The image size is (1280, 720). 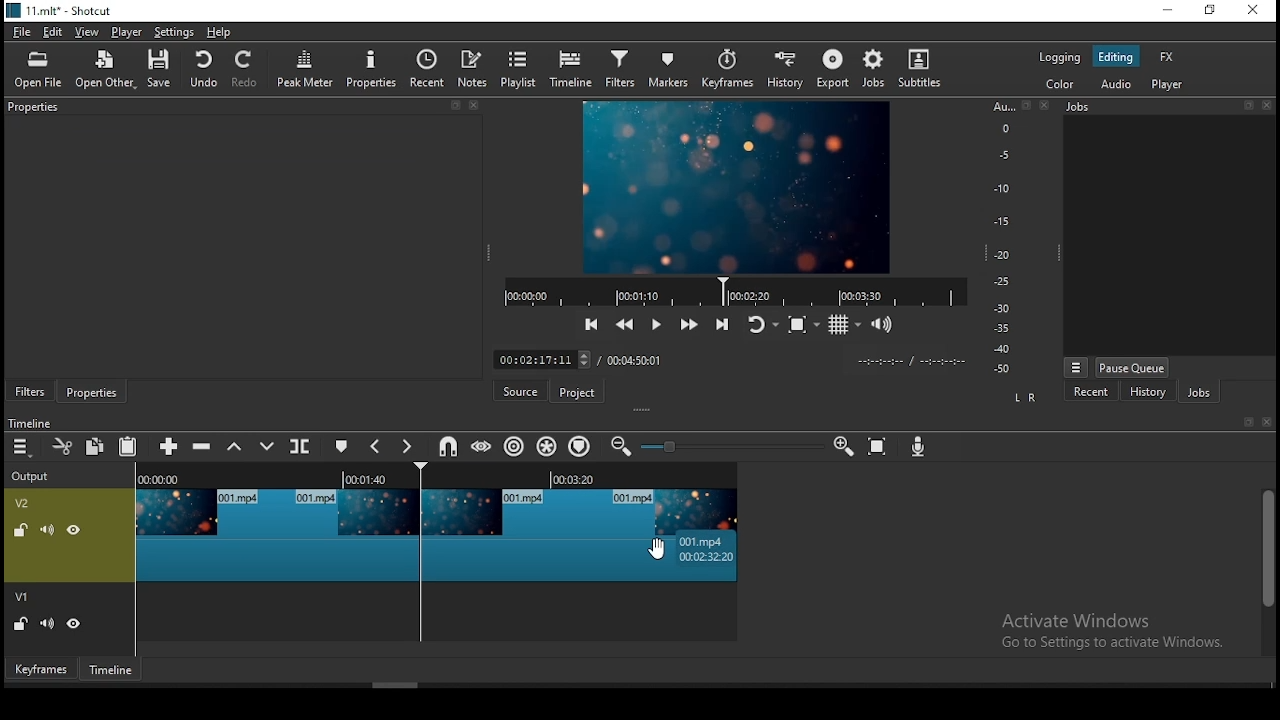 What do you see at coordinates (911, 361) in the screenshot?
I see `TIME` at bounding box center [911, 361].